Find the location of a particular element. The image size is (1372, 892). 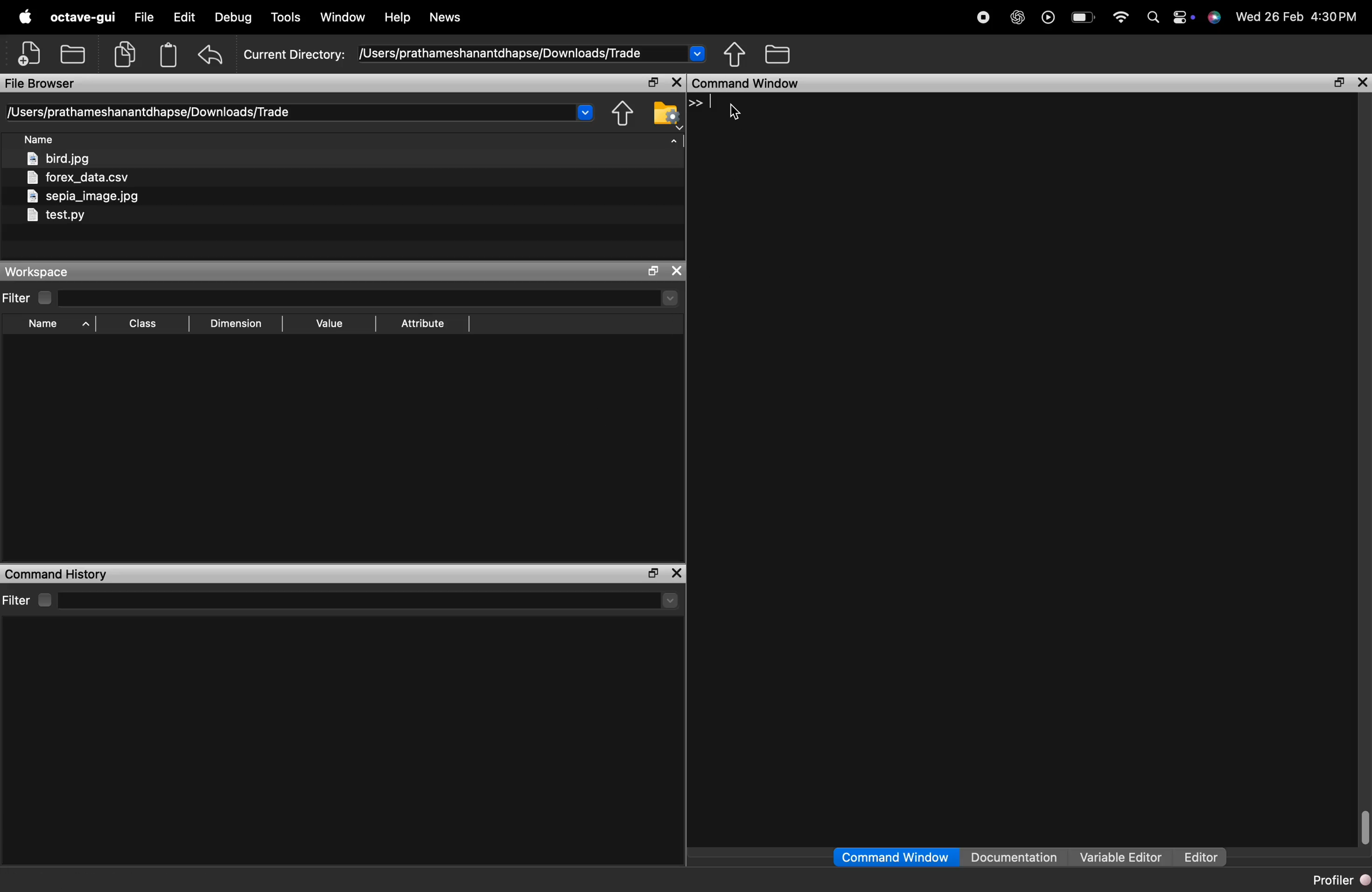

Drop-down  is located at coordinates (670, 297).